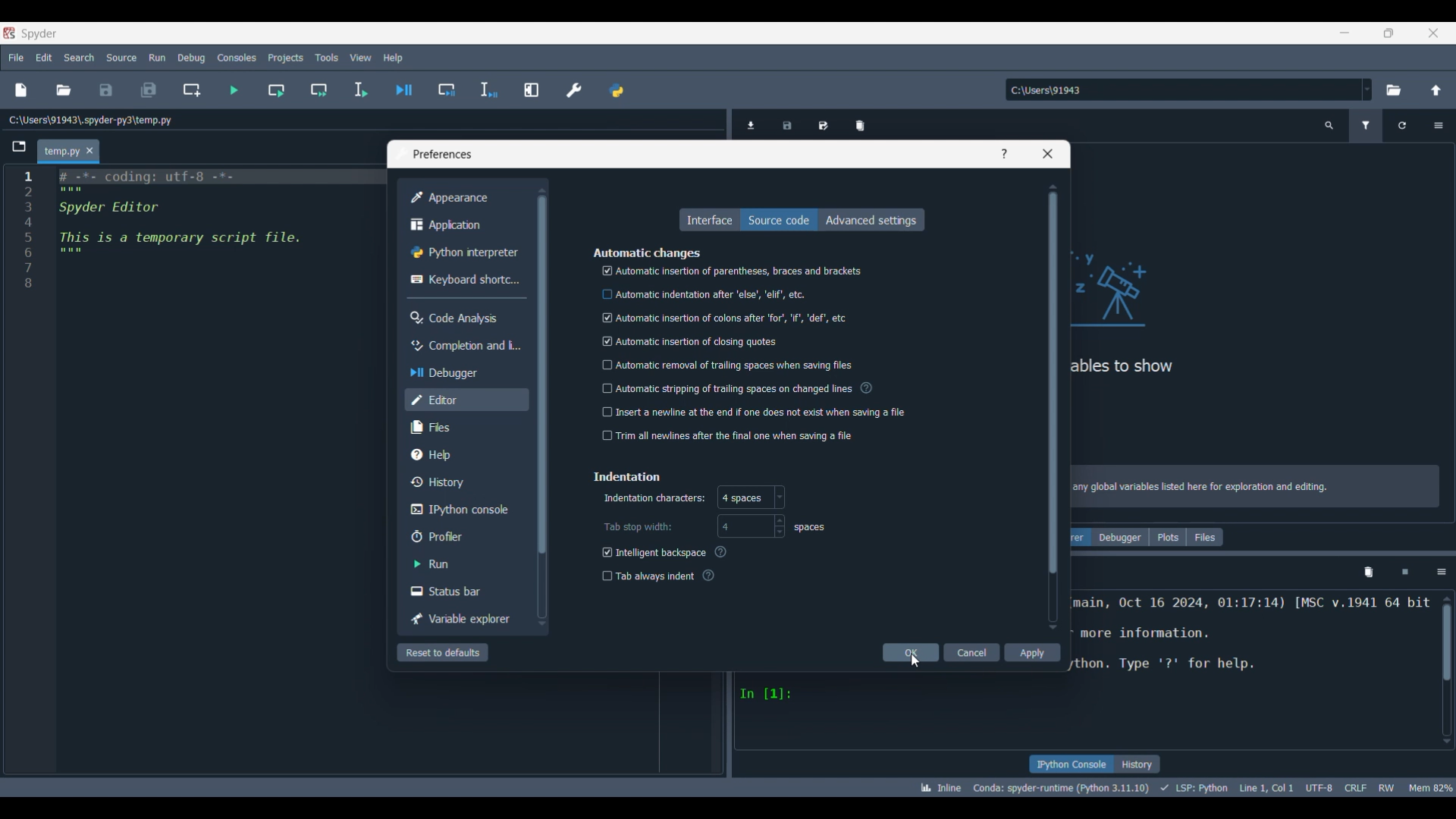  What do you see at coordinates (1389, 33) in the screenshot?
I see `Show interface in a smaller tab` at bounding box center [1389, 33].